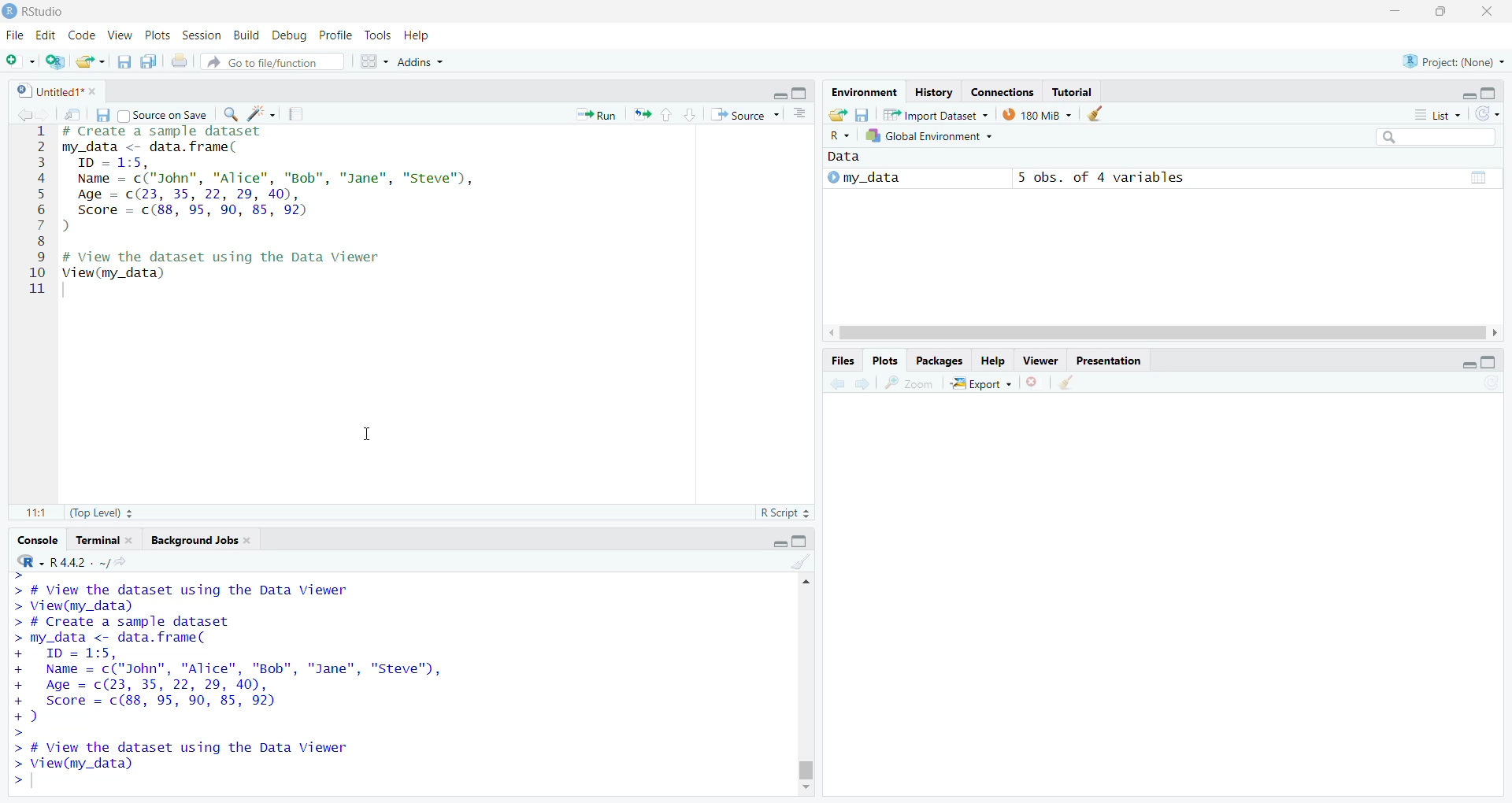  Describe the element at coordinates (335, 37) in the screenshot. I see `Profile` at that location.